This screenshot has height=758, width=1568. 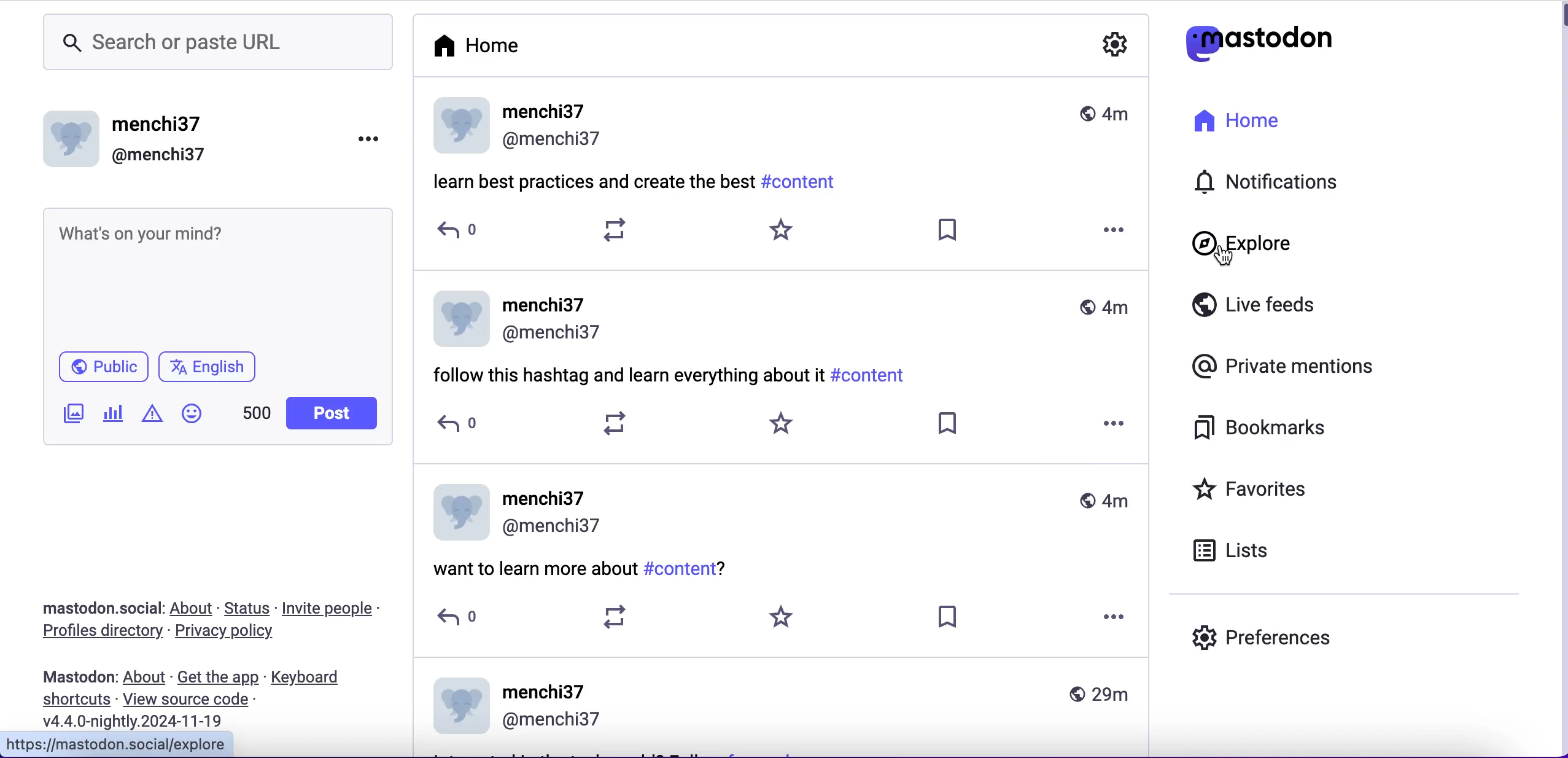 What do you see at coordinates (950, 616) in the screenshot?
I see `save` at bounding box center [950, 616].